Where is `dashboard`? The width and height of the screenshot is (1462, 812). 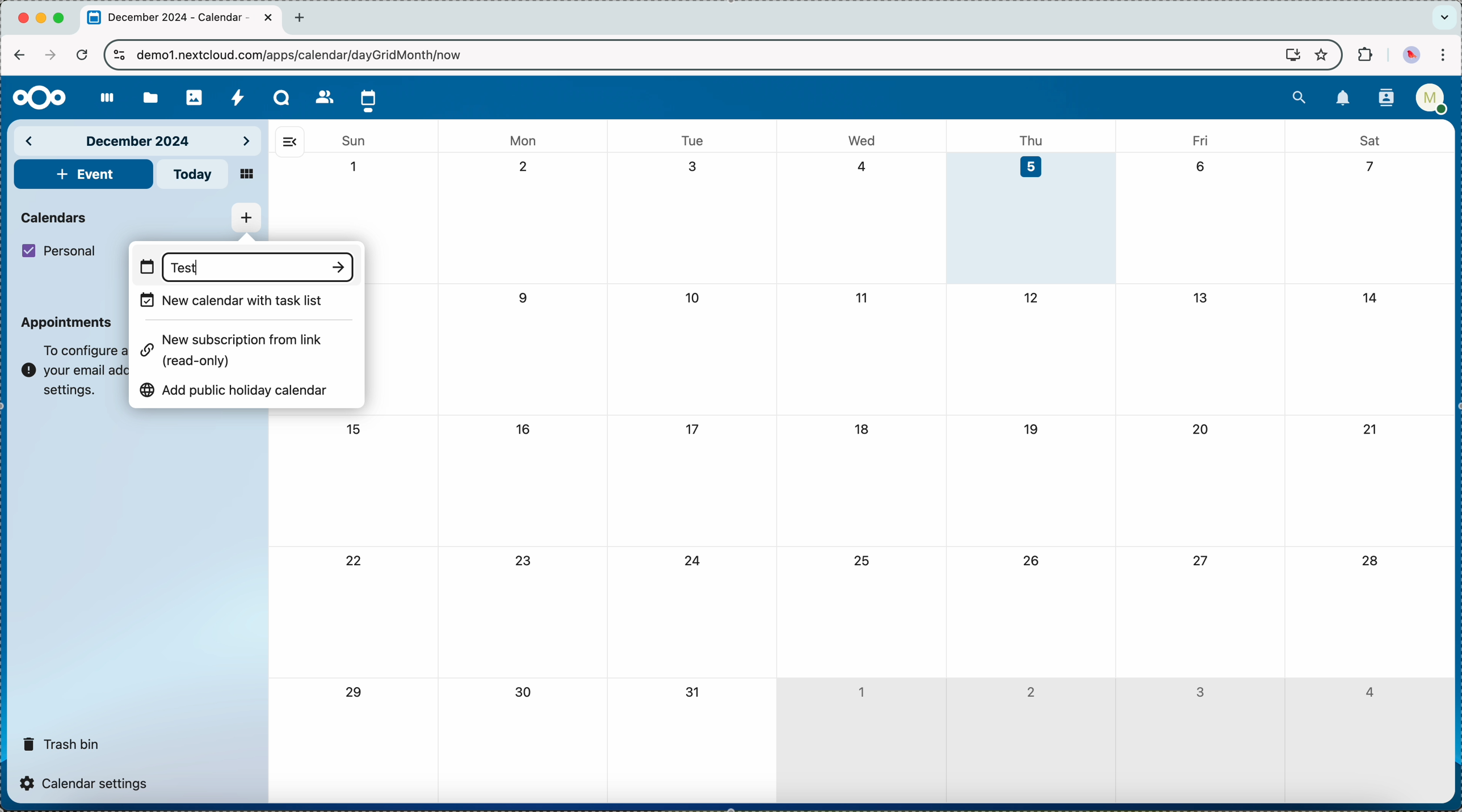 dashboard is located at coordinates (102, 99).